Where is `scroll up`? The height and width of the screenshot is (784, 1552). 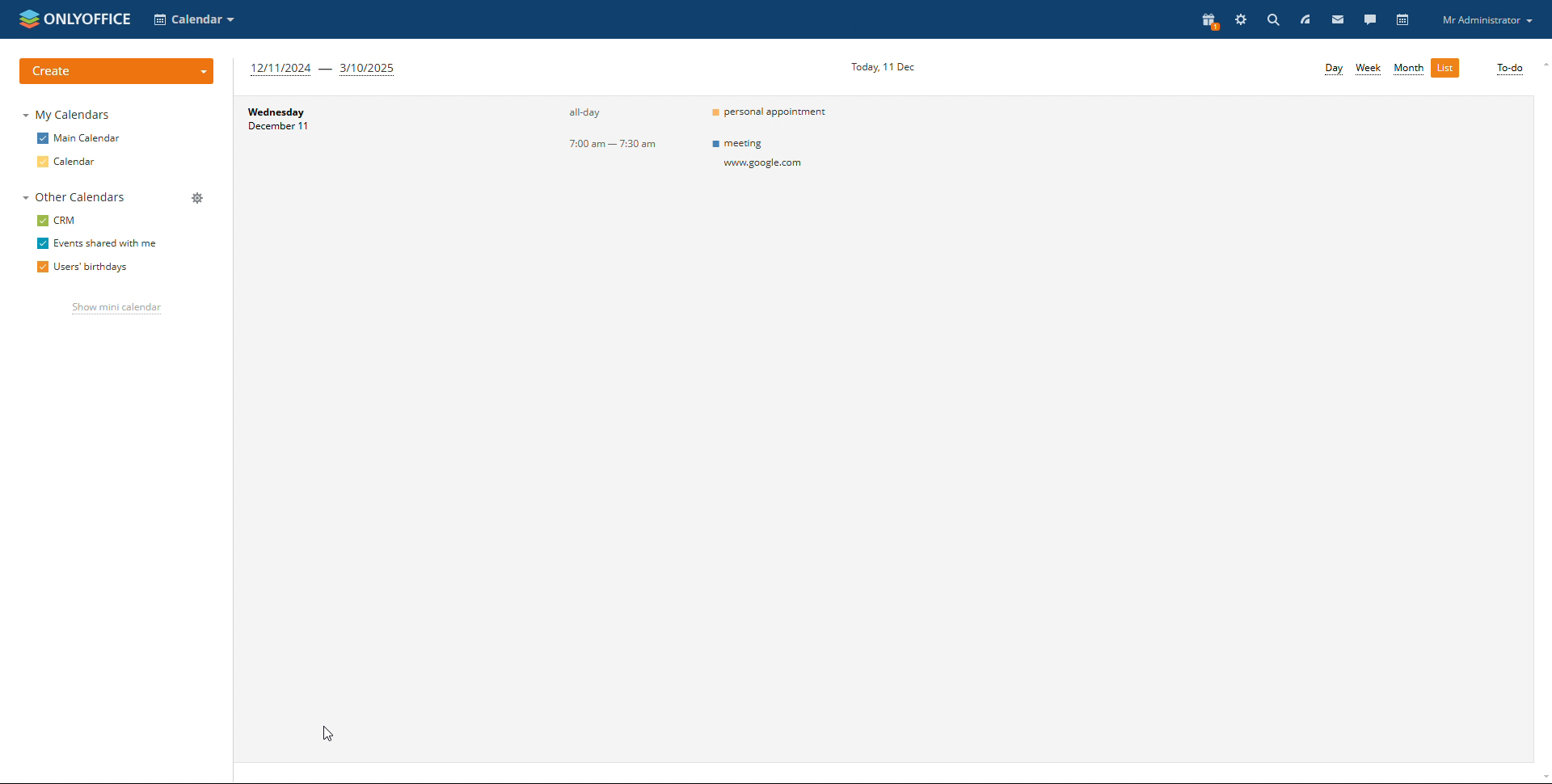
scroll up is located at coordinates (1542, 61).